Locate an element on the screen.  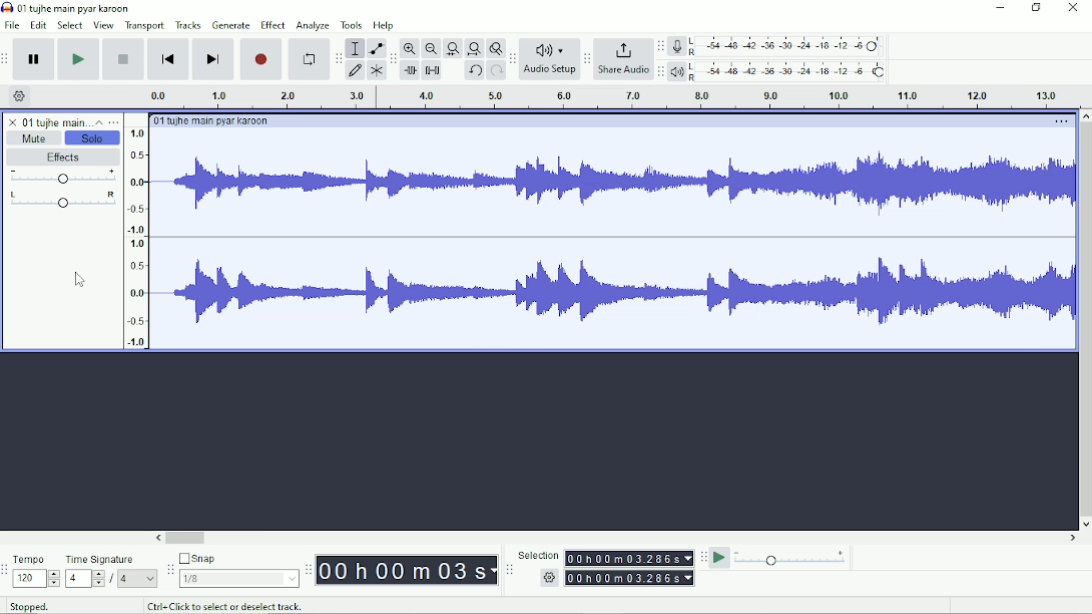
Ctrl + Click to select or deselect track is located at coordinates (226, 606).